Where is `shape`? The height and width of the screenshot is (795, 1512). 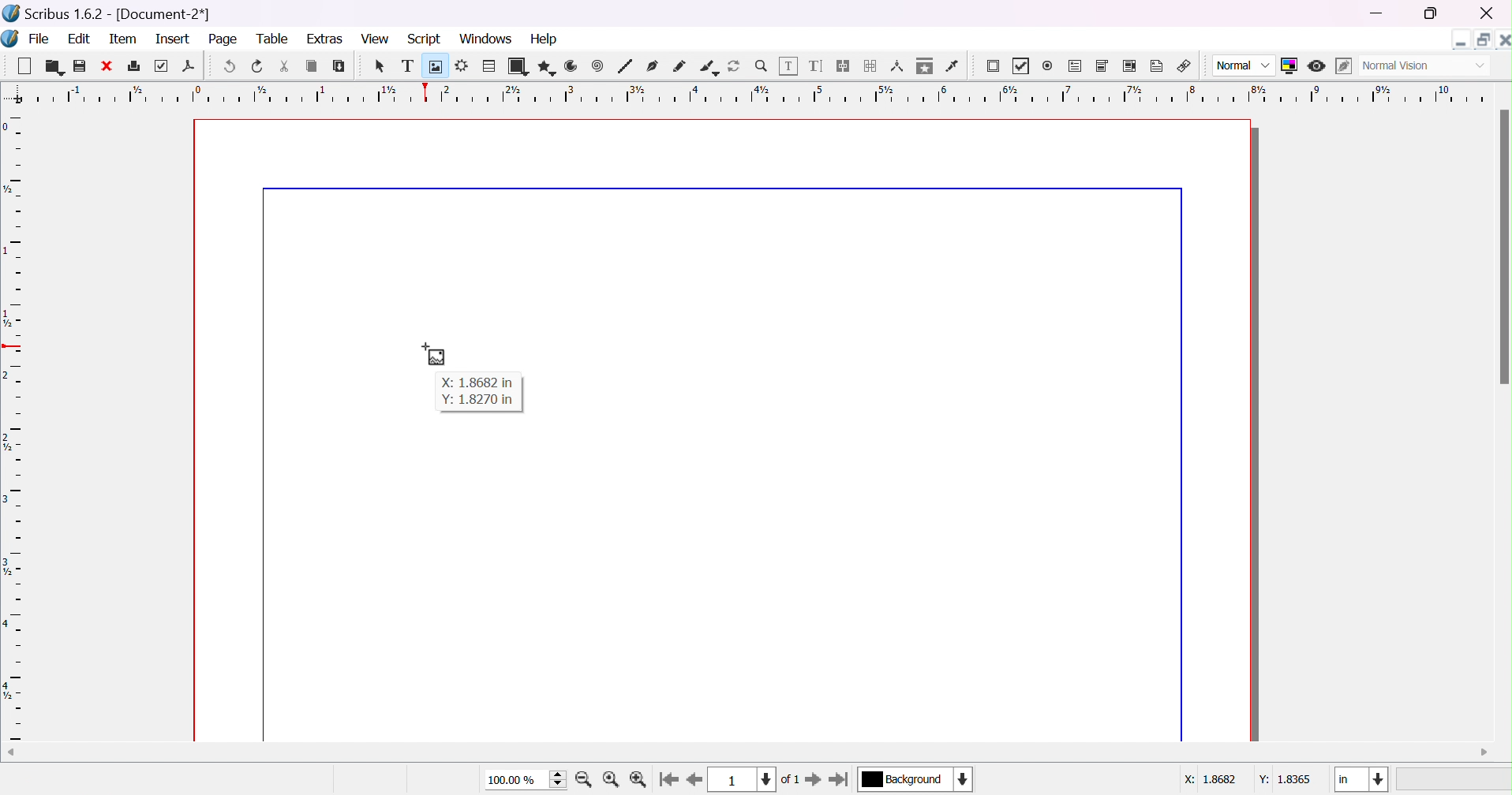
shape is located at coordinates (517, 66).